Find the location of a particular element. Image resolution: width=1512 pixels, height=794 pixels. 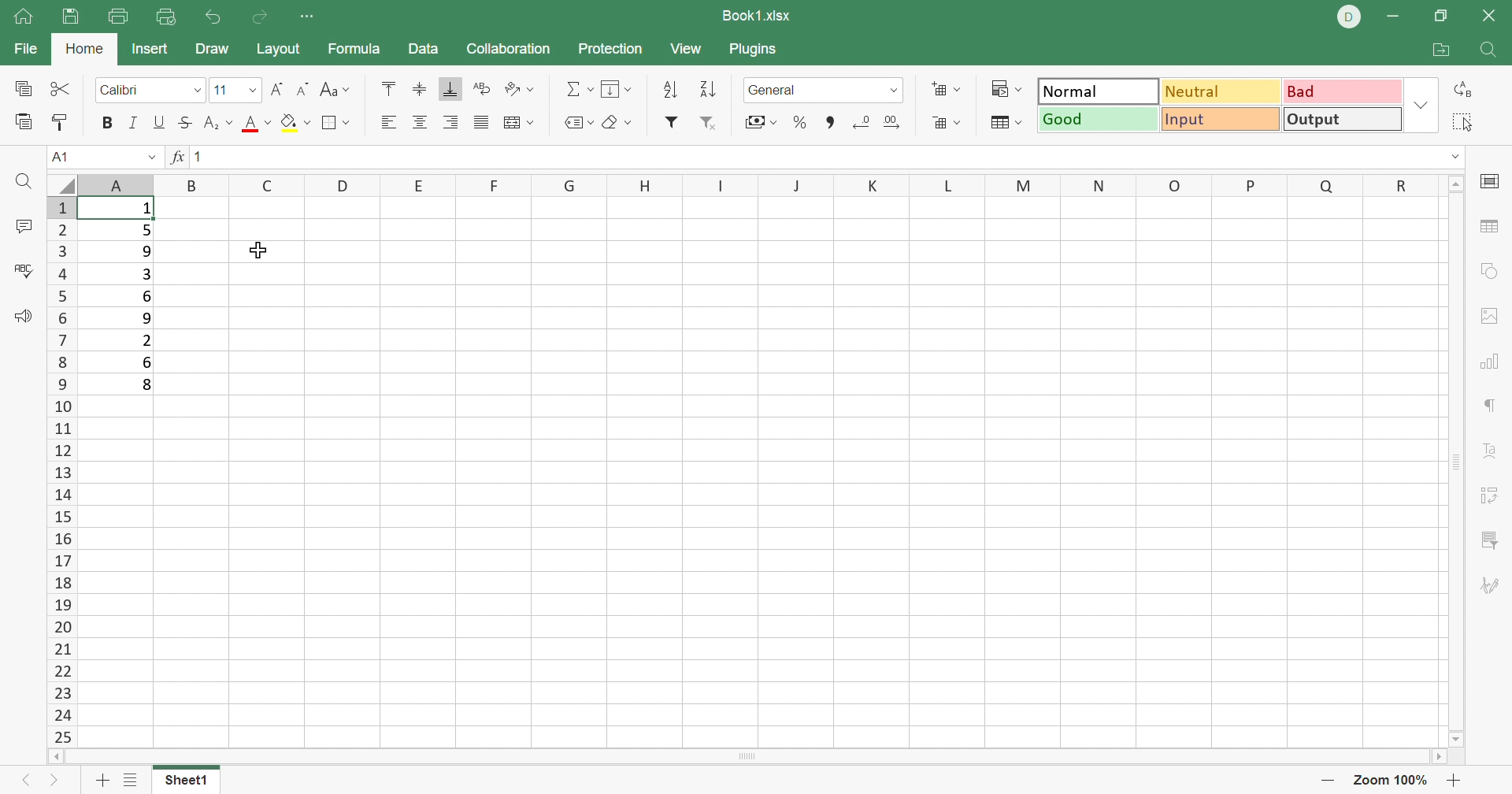

File is located at coordinates (23, 49).